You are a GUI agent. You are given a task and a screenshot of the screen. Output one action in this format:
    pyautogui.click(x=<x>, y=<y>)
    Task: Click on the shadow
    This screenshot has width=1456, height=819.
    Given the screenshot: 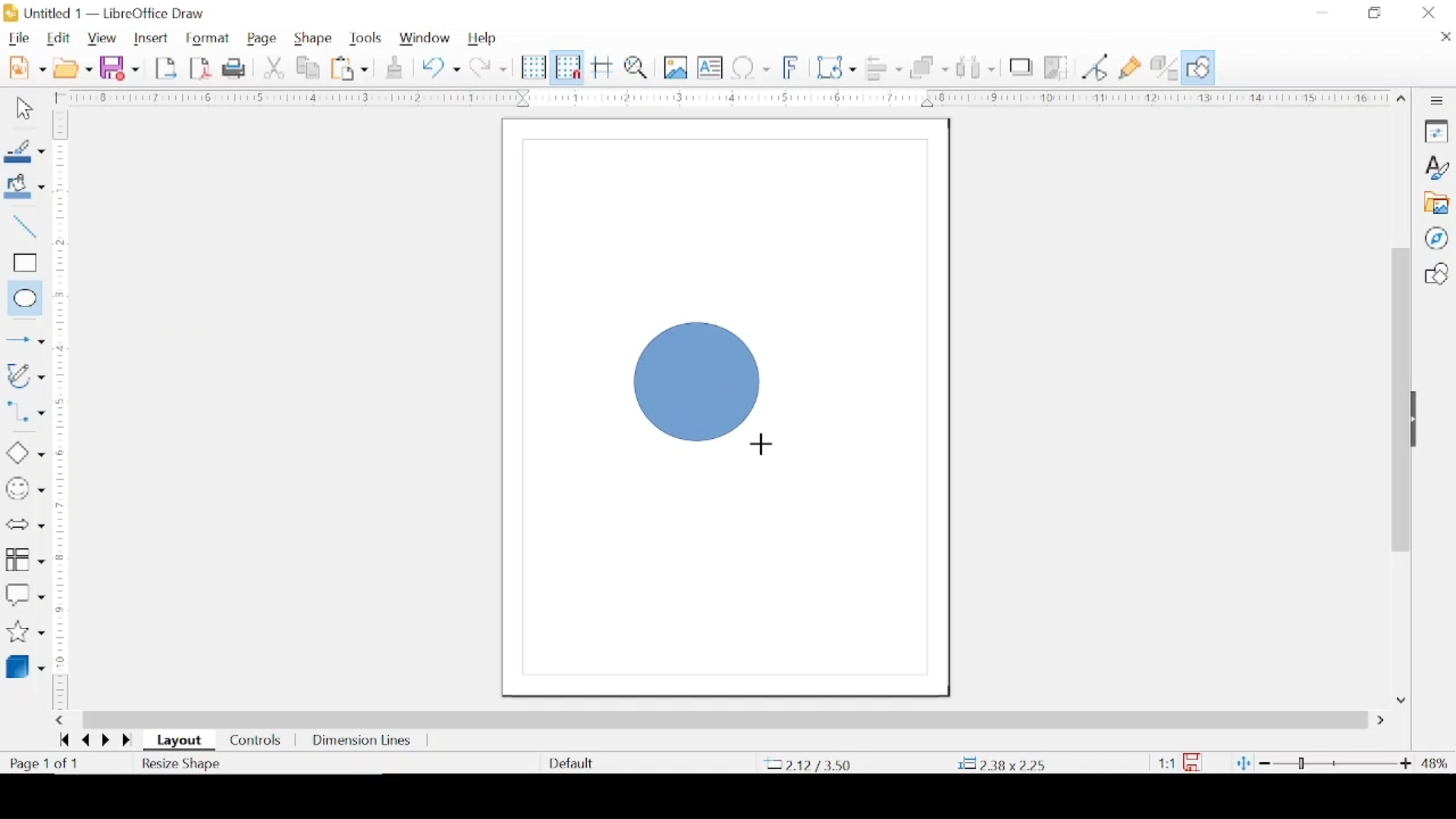 What is the action you would take?
    pyautogui.click(x=1021, y=67)
    